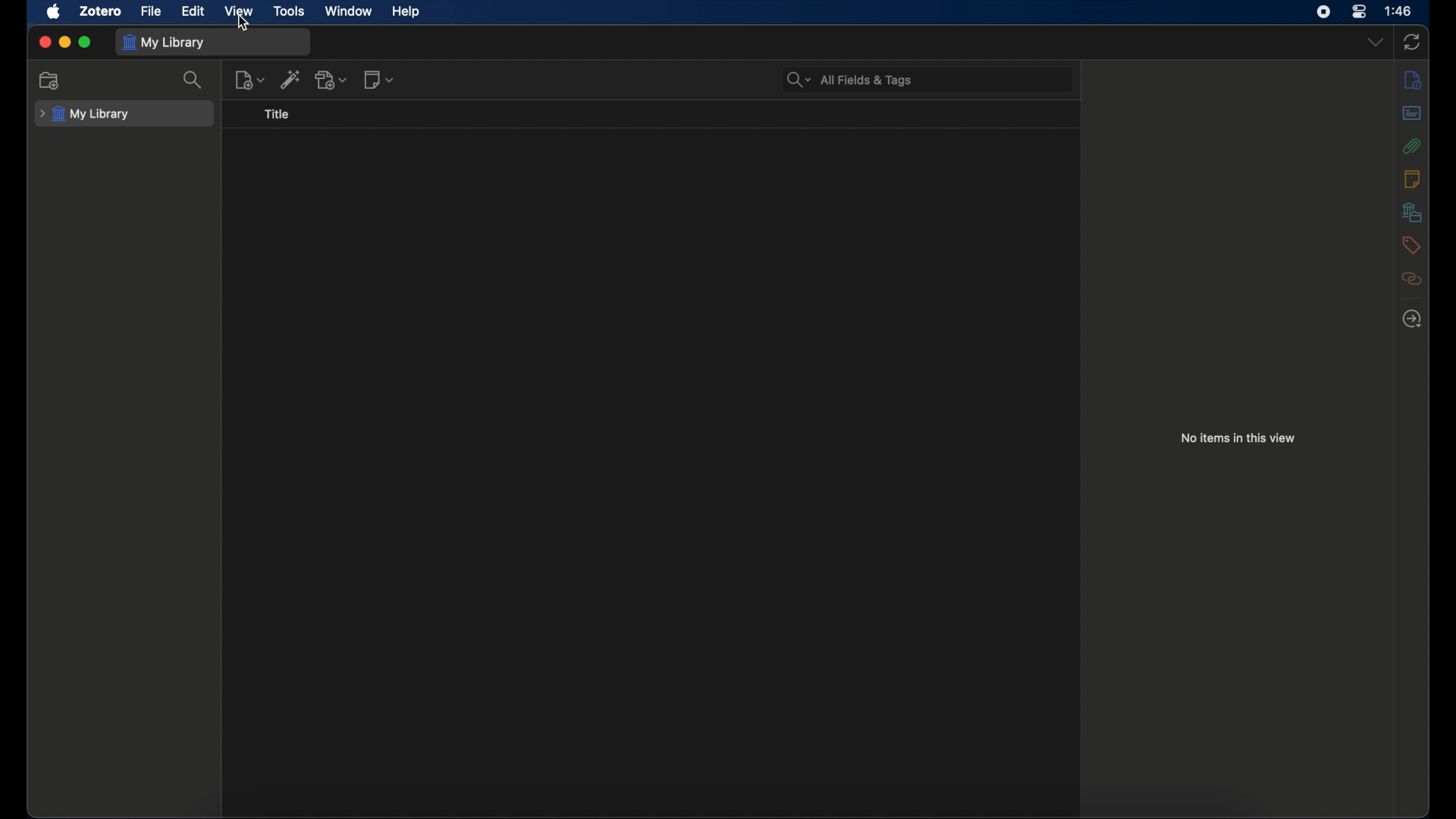  What do you see at coordinates (194, 11) in the screenshot?
I see `edit` at bounding box center [194, 11].